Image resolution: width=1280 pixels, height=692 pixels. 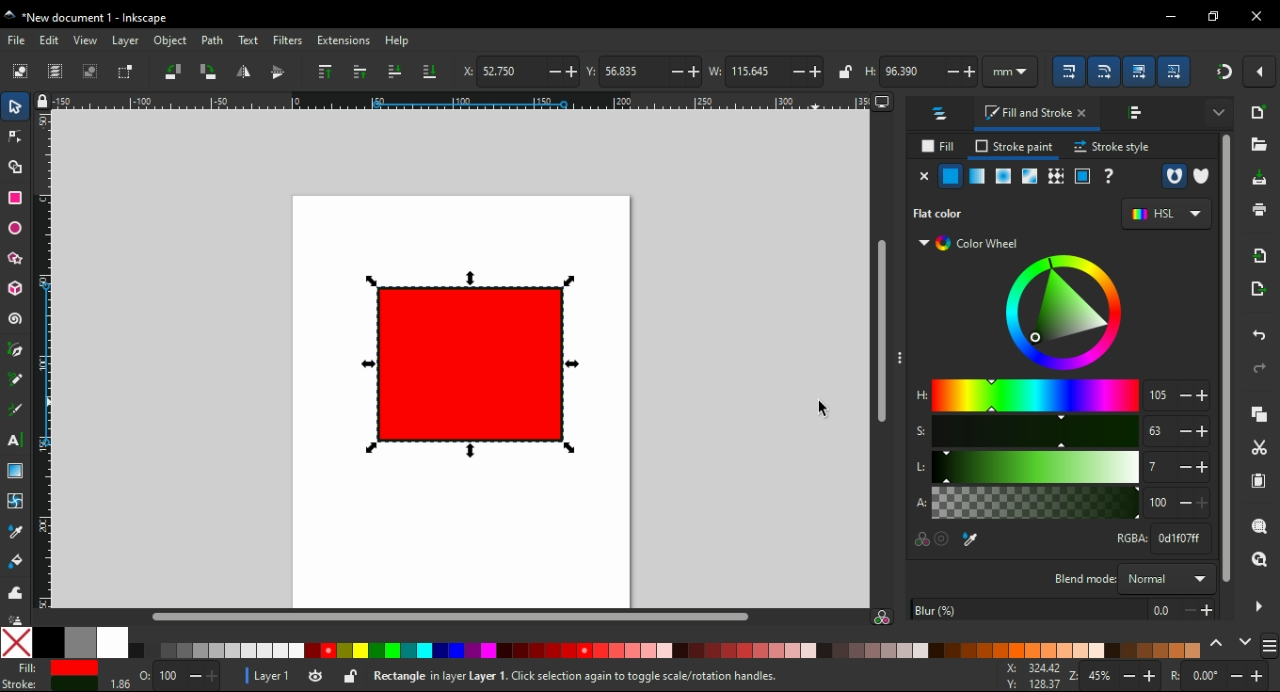 I want to click on open, so click(x=1259, y=146).